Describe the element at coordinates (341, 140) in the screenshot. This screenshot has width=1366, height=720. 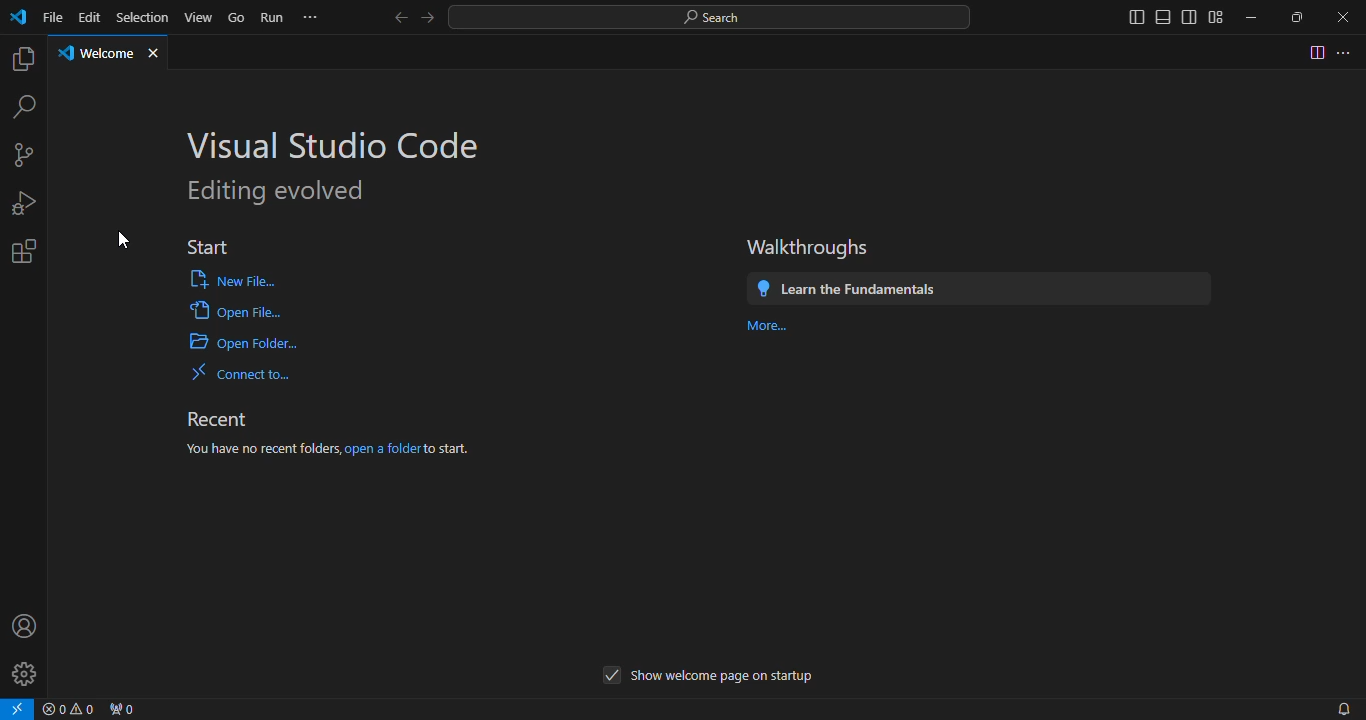
I see `visual studio code` at that location.